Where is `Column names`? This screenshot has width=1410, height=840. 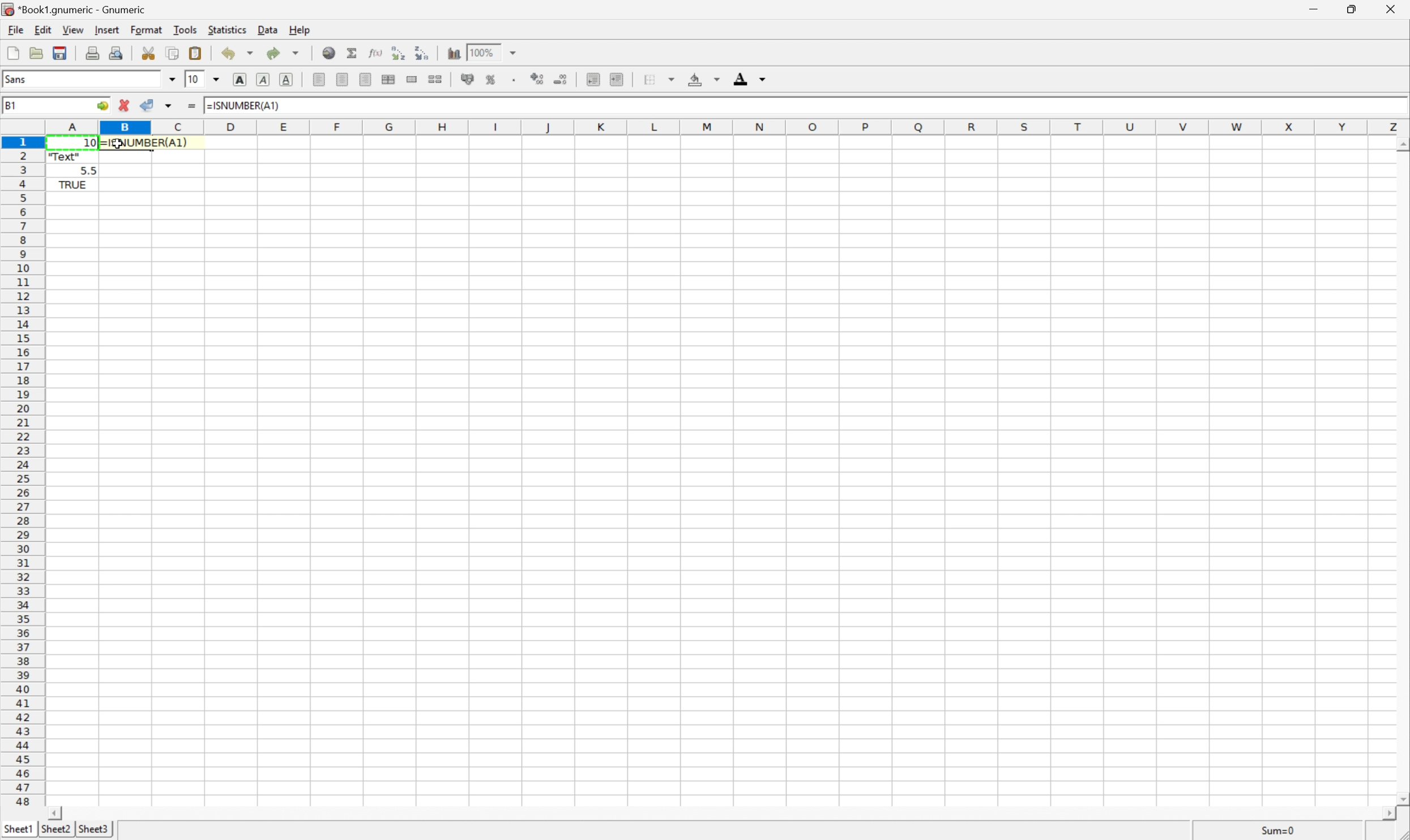 Column names is located at coordinates (727, 127).